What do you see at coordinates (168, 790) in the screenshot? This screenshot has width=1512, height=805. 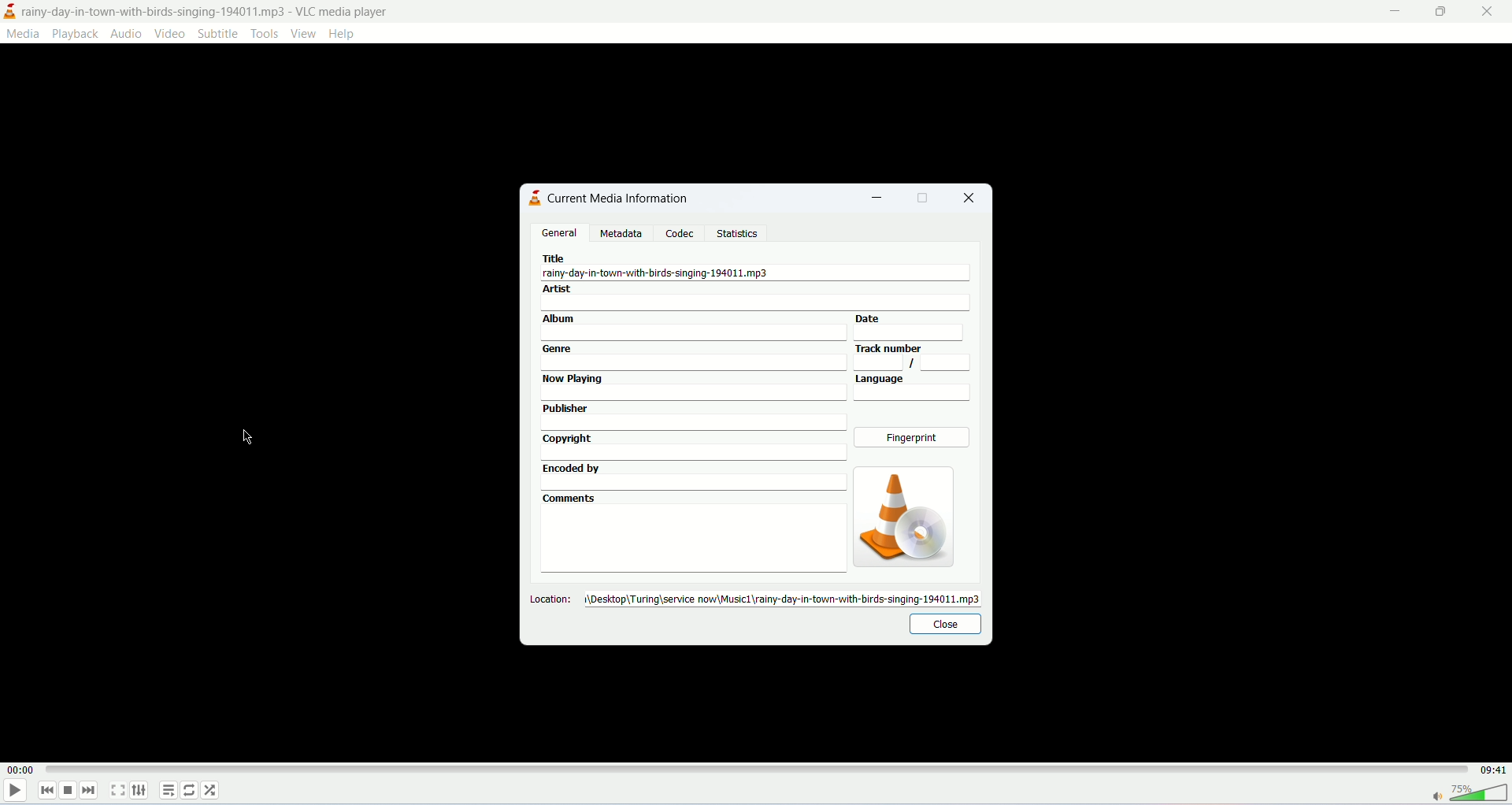 I see `playlist` at bounding box center [168, 790].